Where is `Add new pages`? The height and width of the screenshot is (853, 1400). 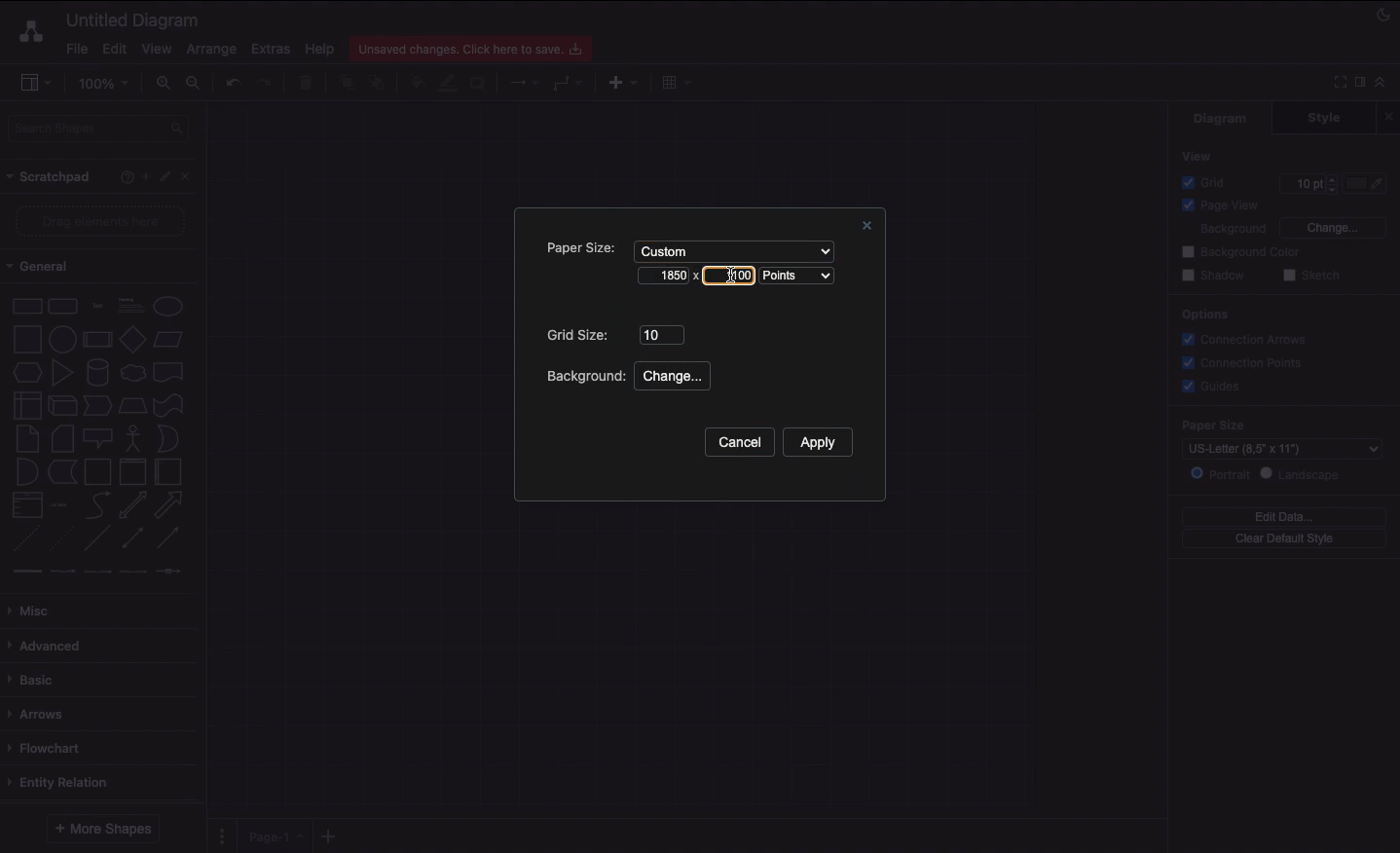 Add new pages is located at coordinates (331, 837).